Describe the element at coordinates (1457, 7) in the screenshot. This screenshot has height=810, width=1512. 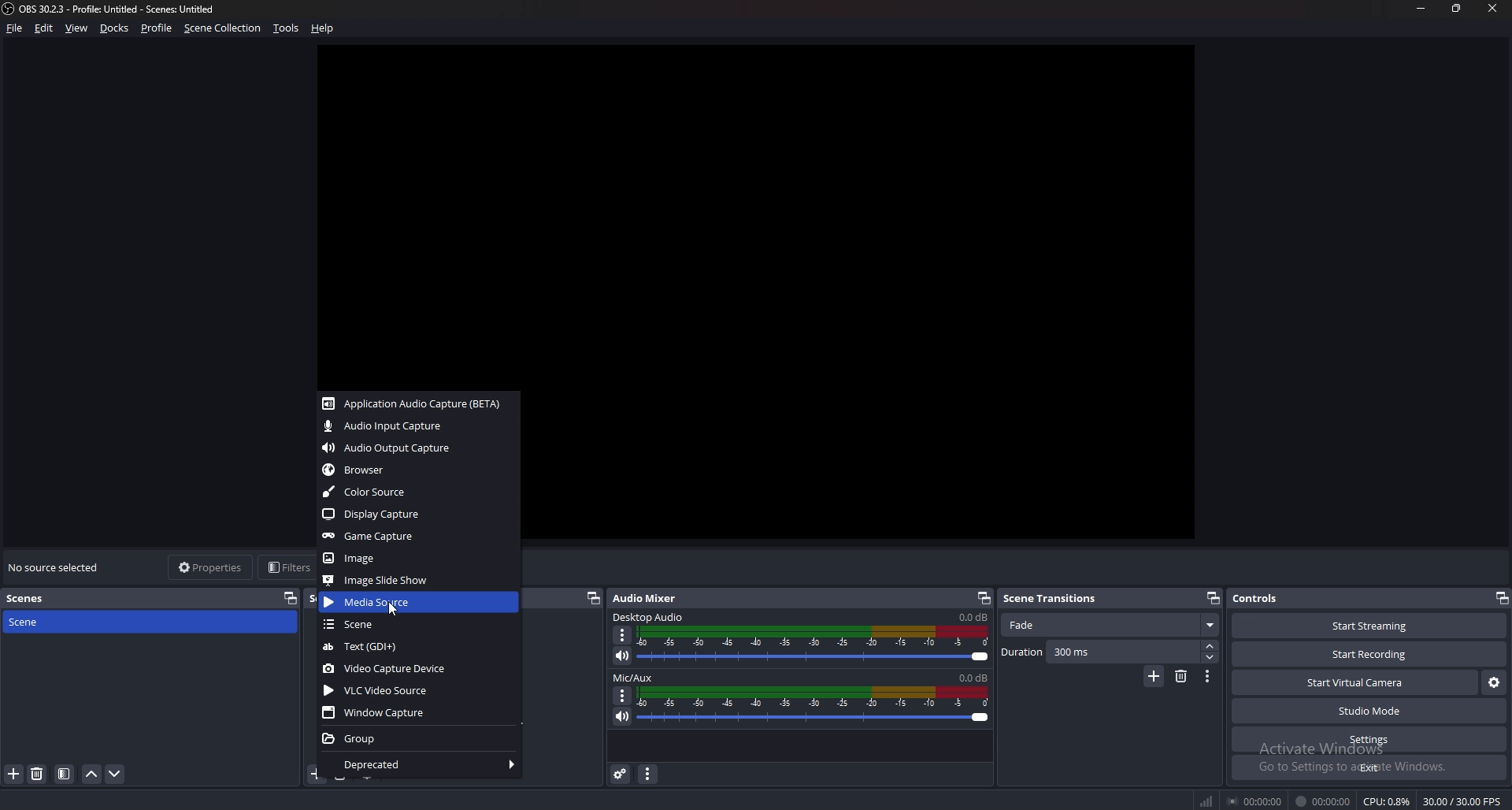
I see `Resize` at that location.